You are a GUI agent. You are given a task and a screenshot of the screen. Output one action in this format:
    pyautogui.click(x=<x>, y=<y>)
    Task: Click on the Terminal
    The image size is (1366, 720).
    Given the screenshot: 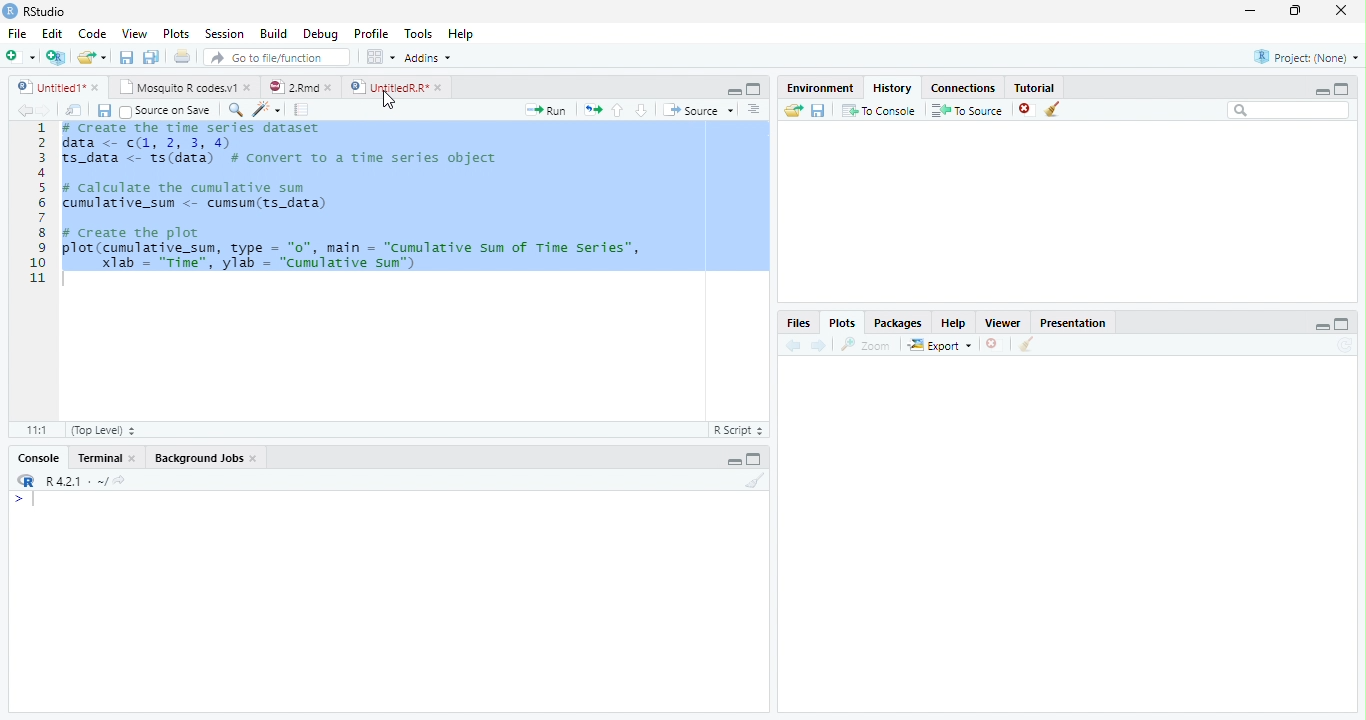 What is the action you would take?
    pyautogui.click(x=106, y=458)
    